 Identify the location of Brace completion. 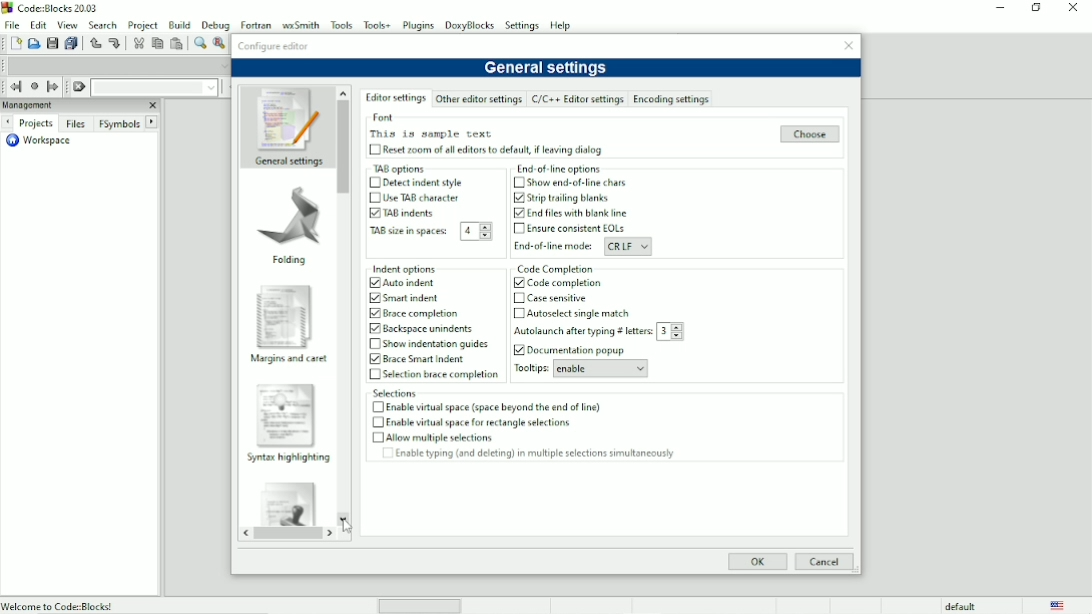
(424, 313).